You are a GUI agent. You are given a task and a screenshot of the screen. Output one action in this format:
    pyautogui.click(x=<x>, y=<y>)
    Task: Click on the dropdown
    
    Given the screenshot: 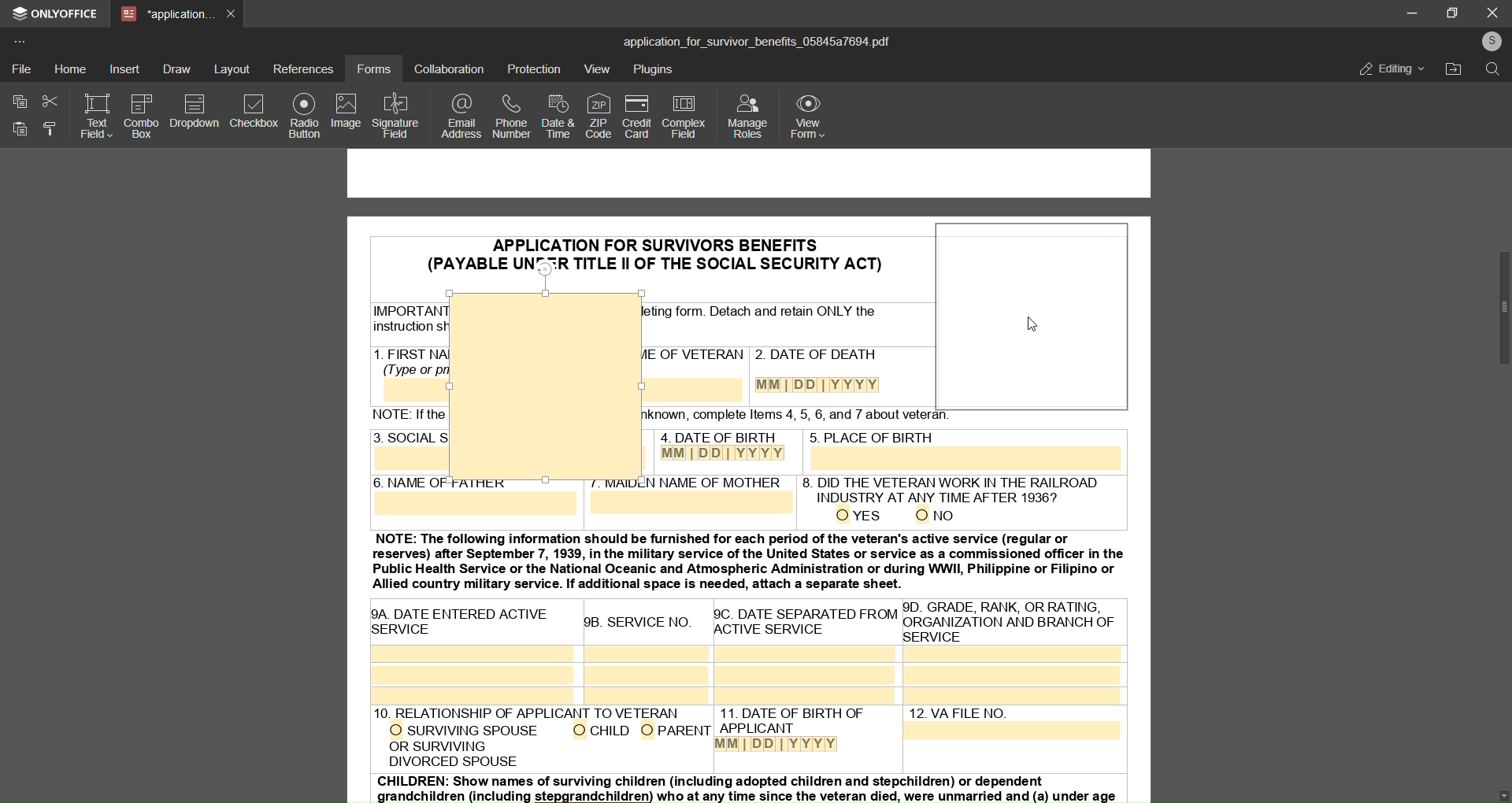 What is the action you would take?
    pyautogui.click(x=196, y=112)
    